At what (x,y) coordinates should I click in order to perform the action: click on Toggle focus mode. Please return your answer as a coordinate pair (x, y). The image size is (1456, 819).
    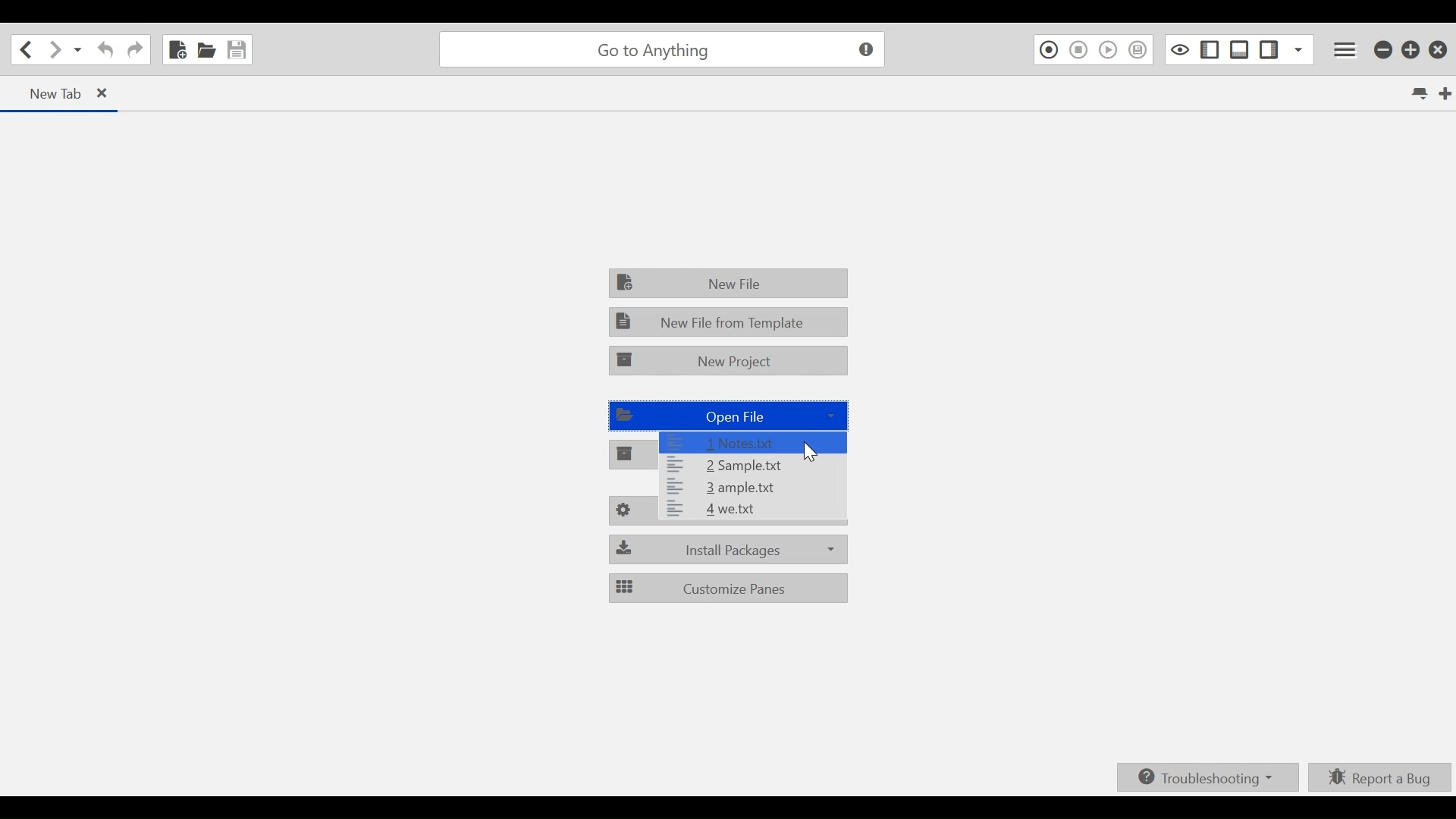
    Looking at the image, I should click on (1180, 49).